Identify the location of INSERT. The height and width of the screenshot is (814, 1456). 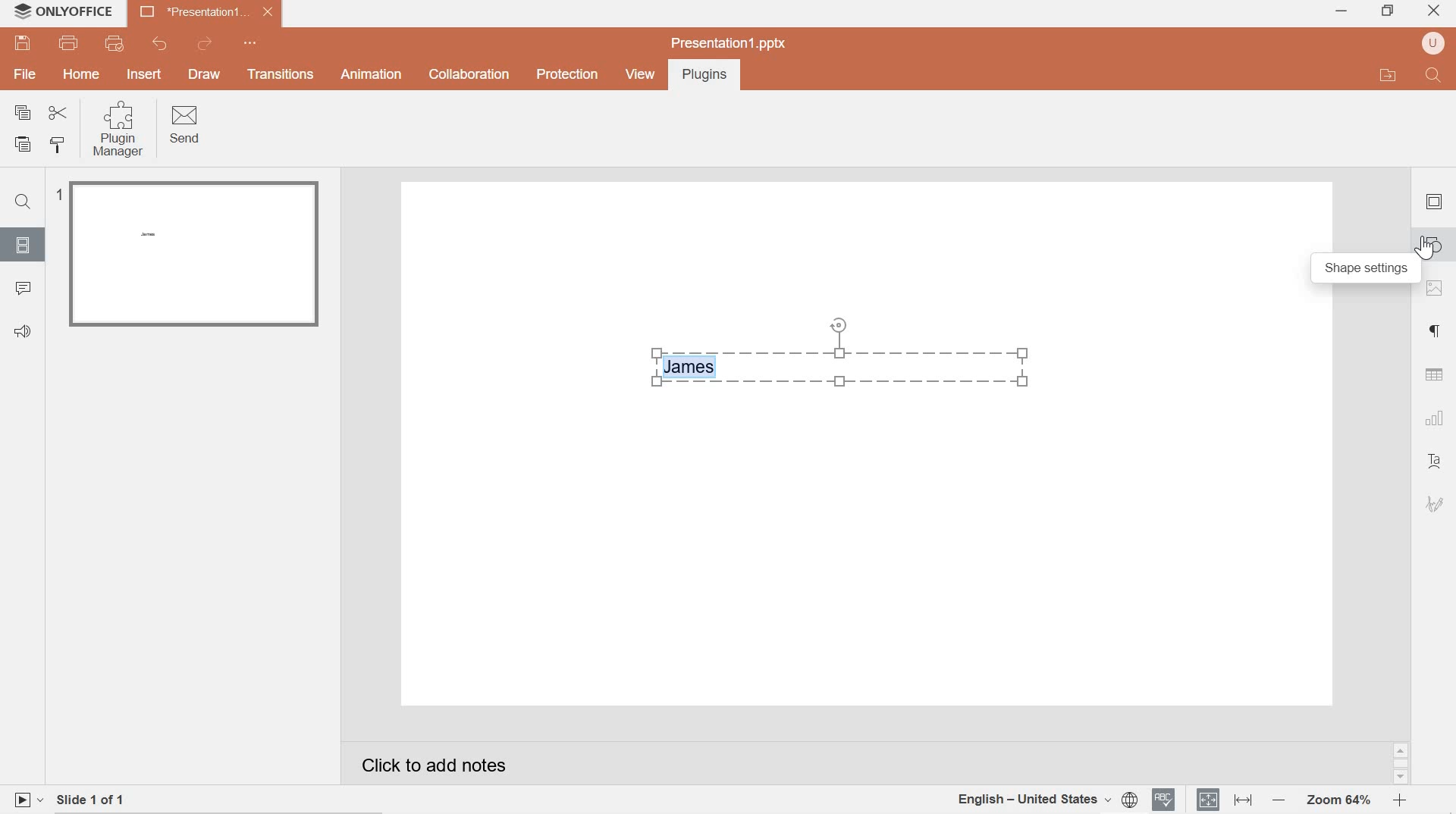
(146, 74).